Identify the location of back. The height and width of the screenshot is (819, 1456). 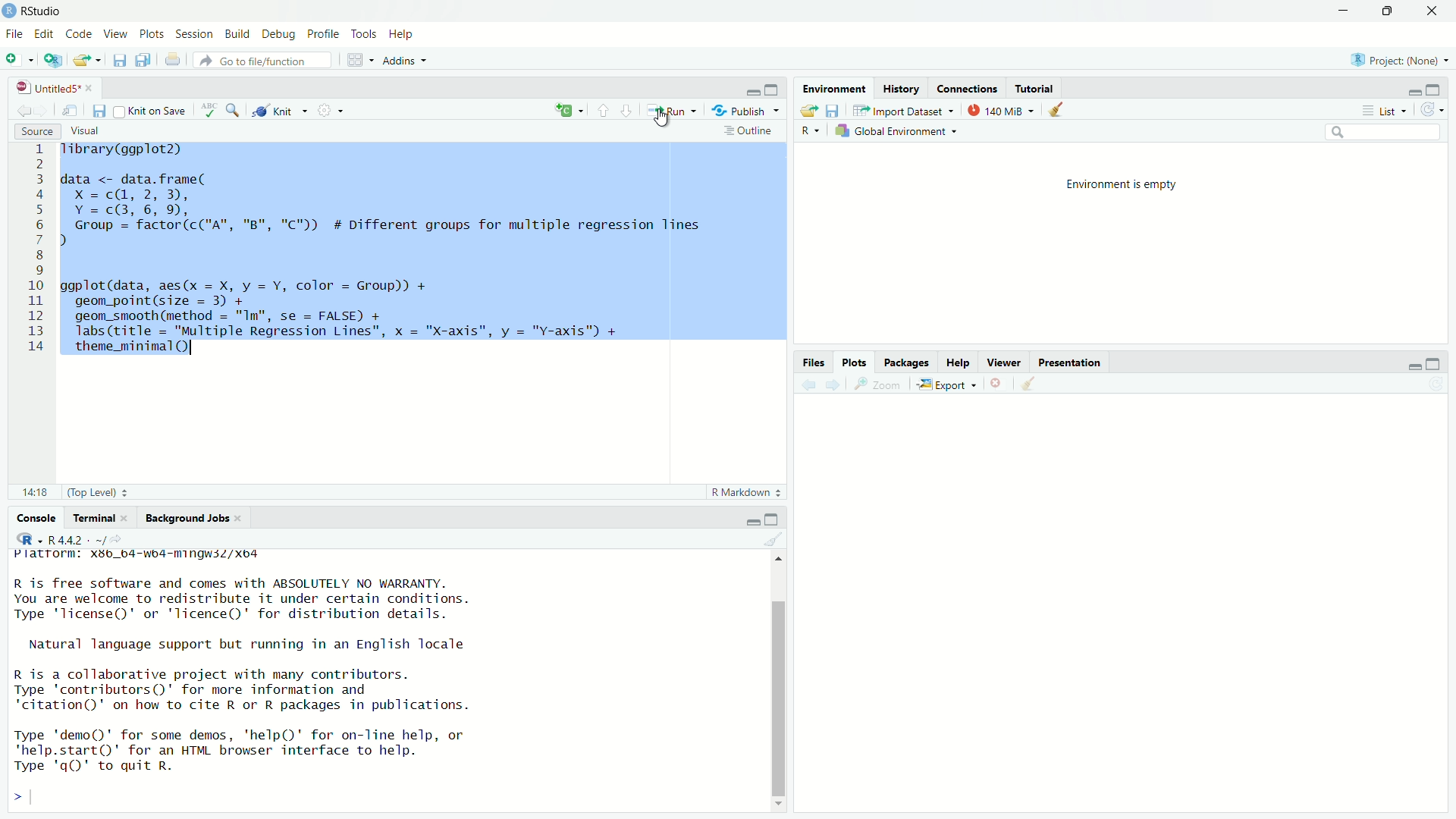
(807, 385).